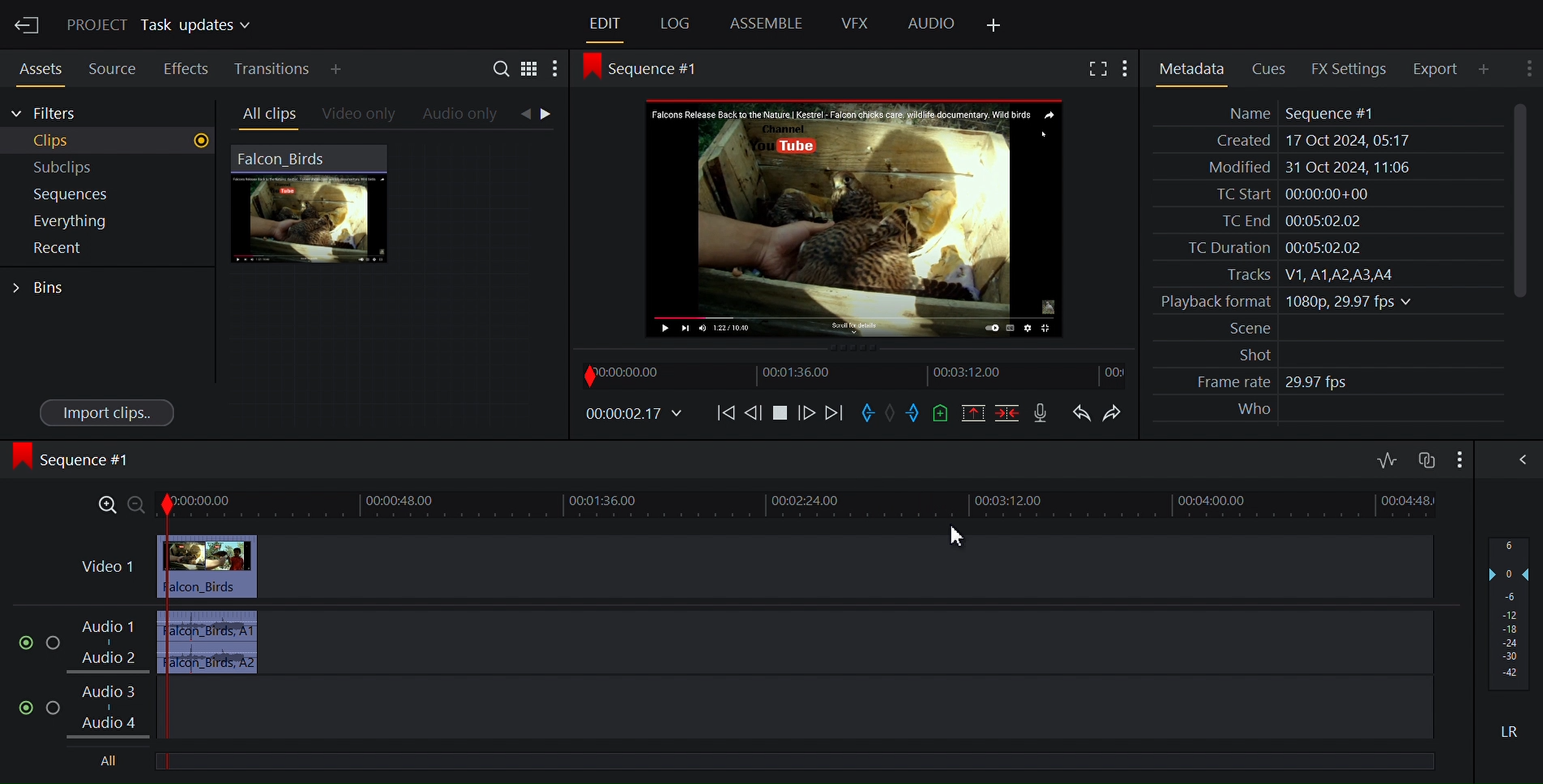 The width and height of the screenshot is (1543, 784). I want to click on All, so click(107, 762).